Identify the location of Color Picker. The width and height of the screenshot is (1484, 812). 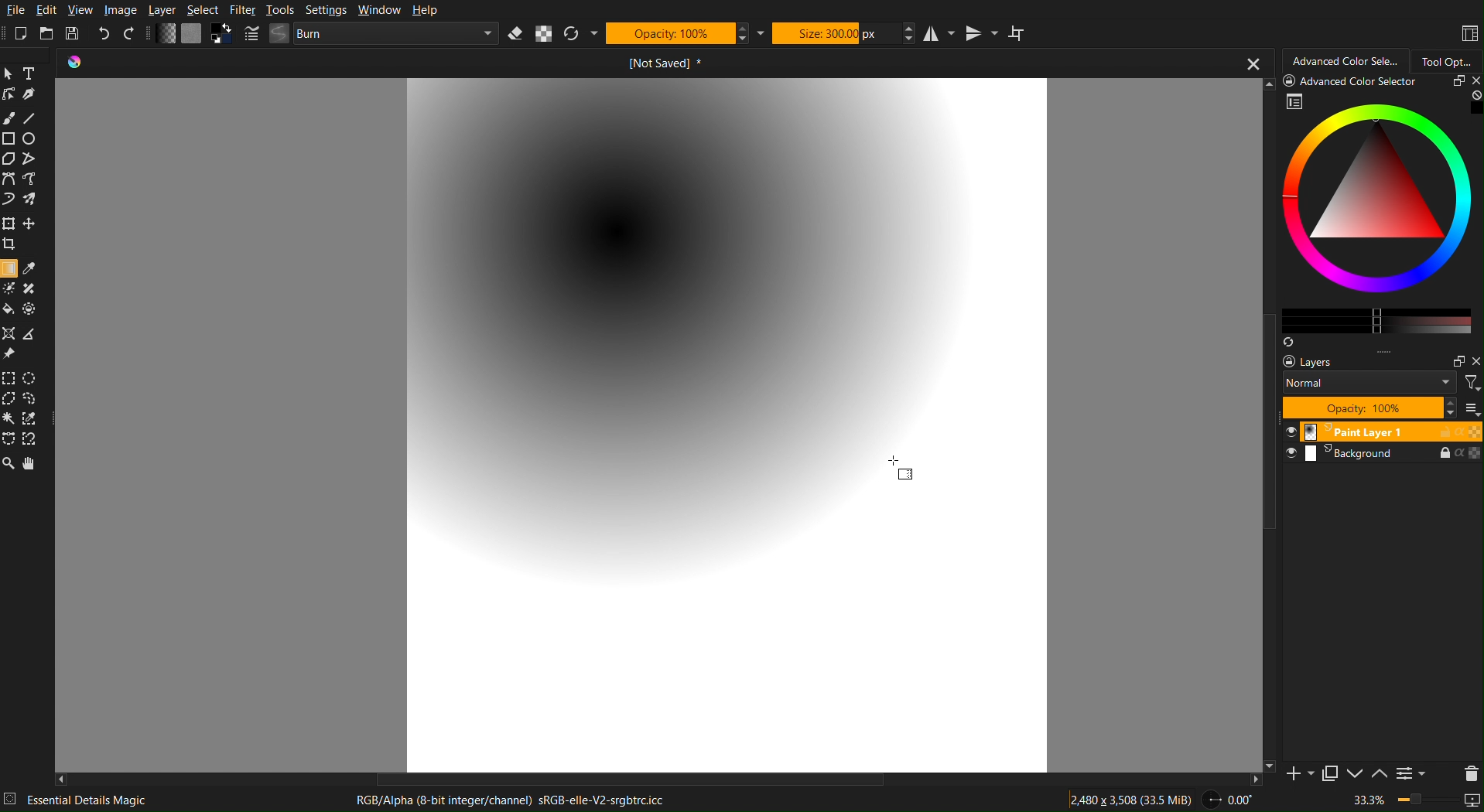
(32, 268).